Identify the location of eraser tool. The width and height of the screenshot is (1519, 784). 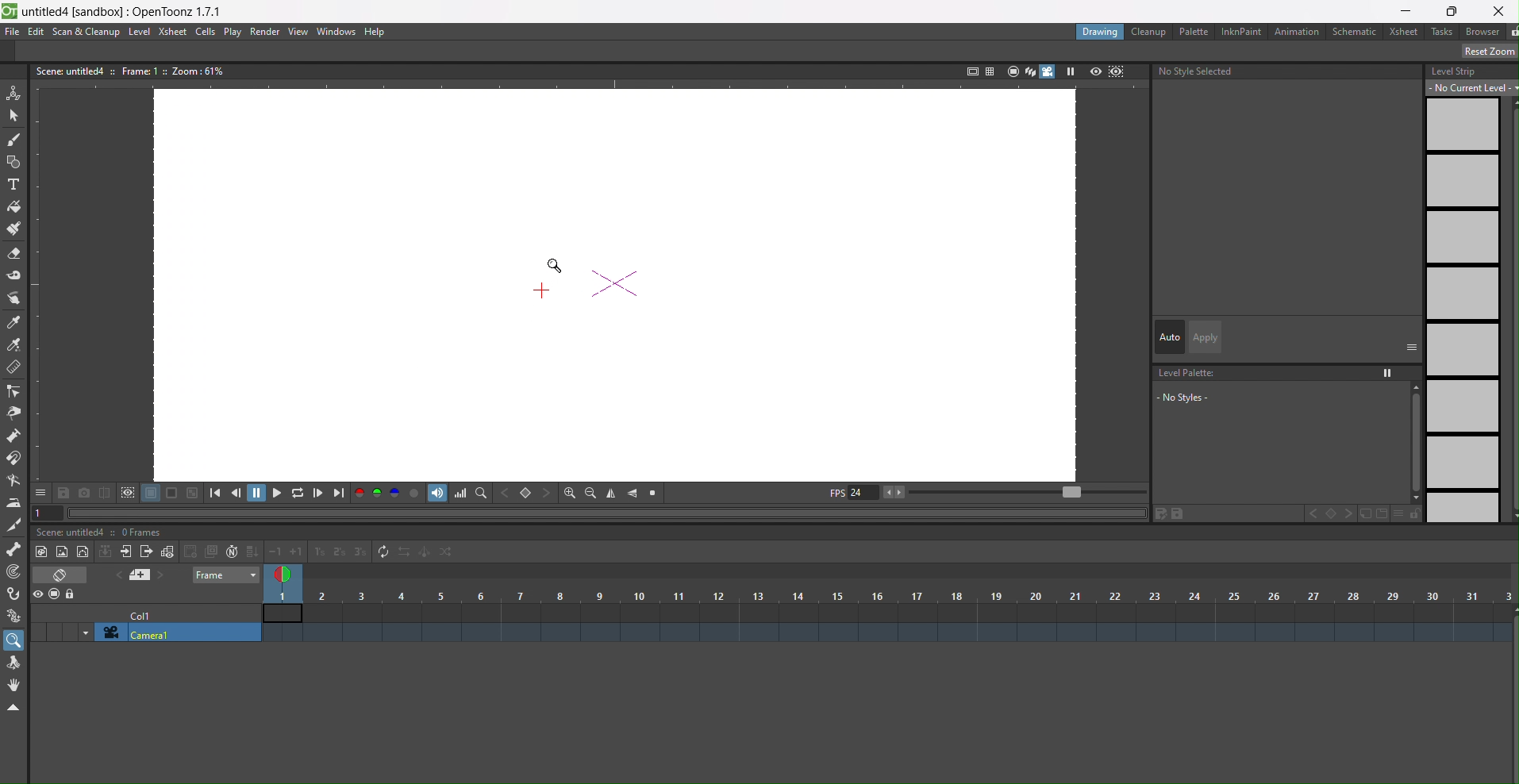
(13, 253).